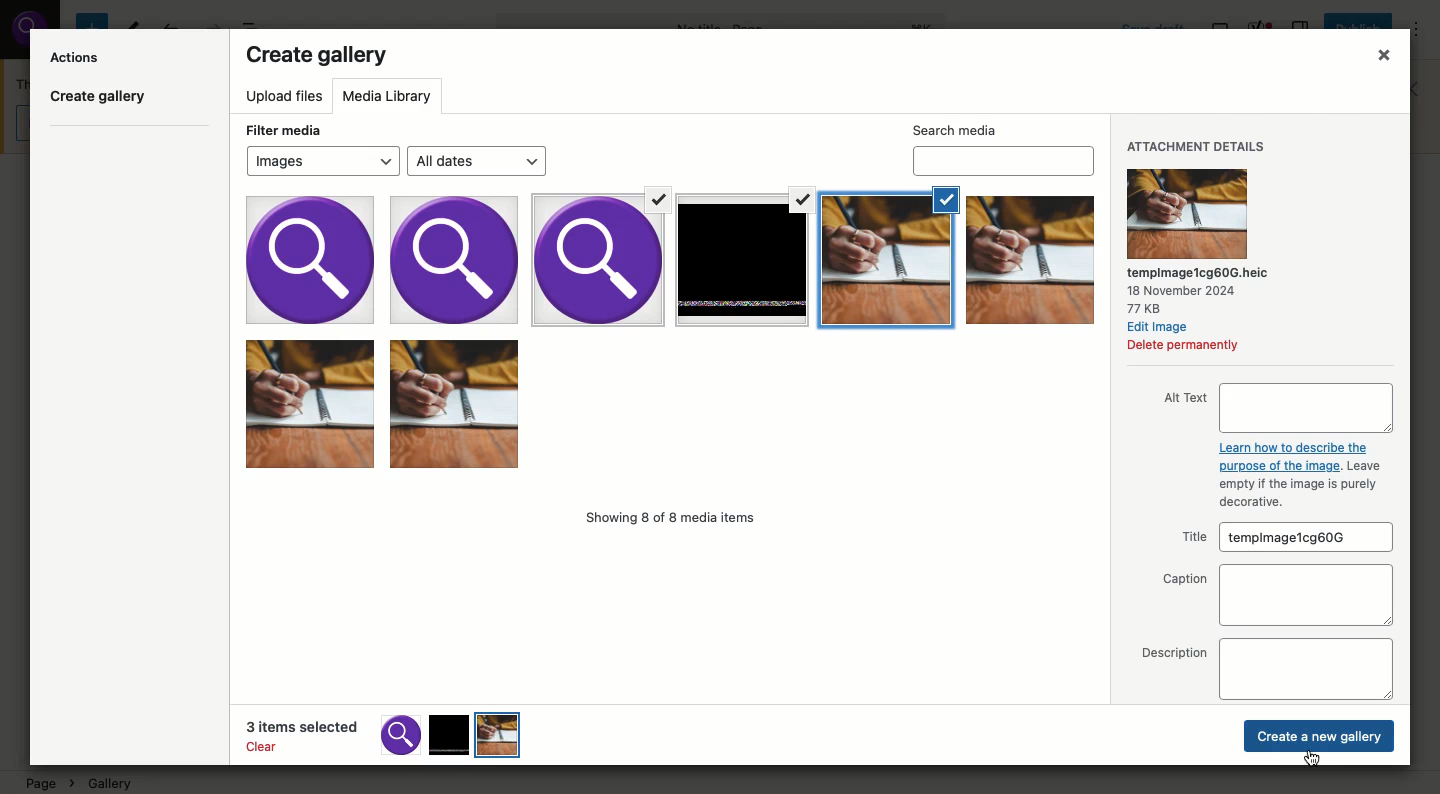 The height and width of the screenshot is (794, 1440). What do you see at coordinates (322, 160) in the screenshot?
I see `Images` at bounding box center [322, 160].